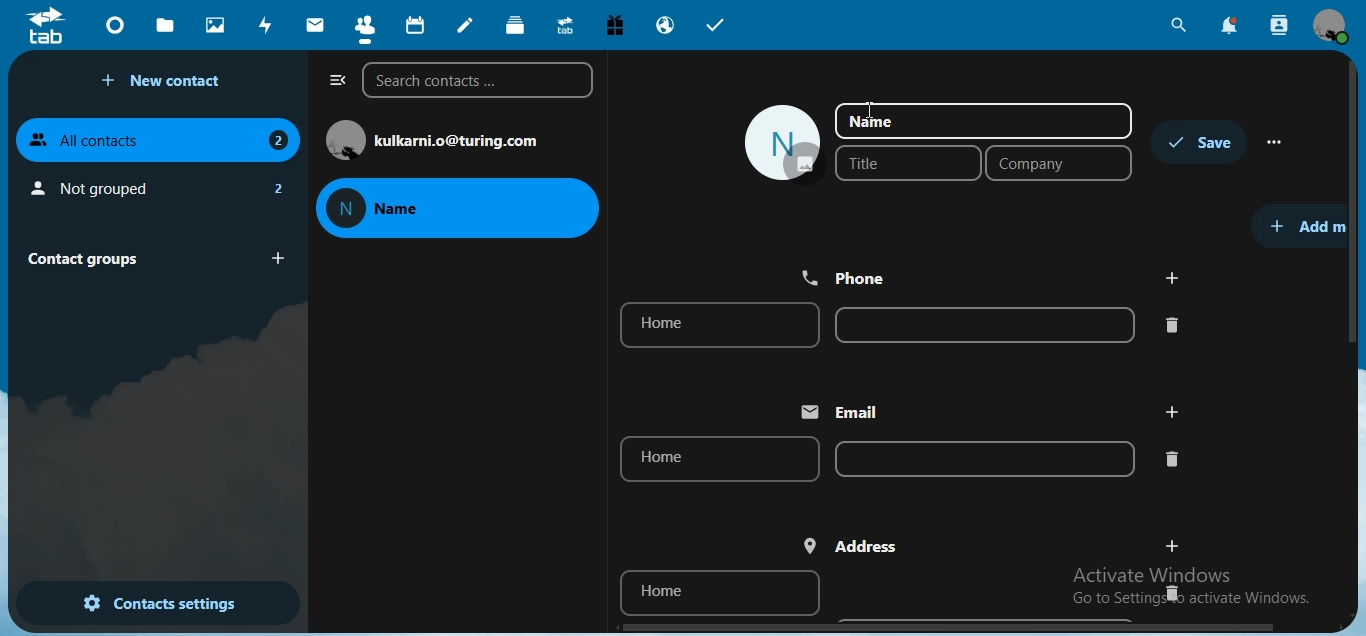  I want to click on contact settings, so click(145, 601).